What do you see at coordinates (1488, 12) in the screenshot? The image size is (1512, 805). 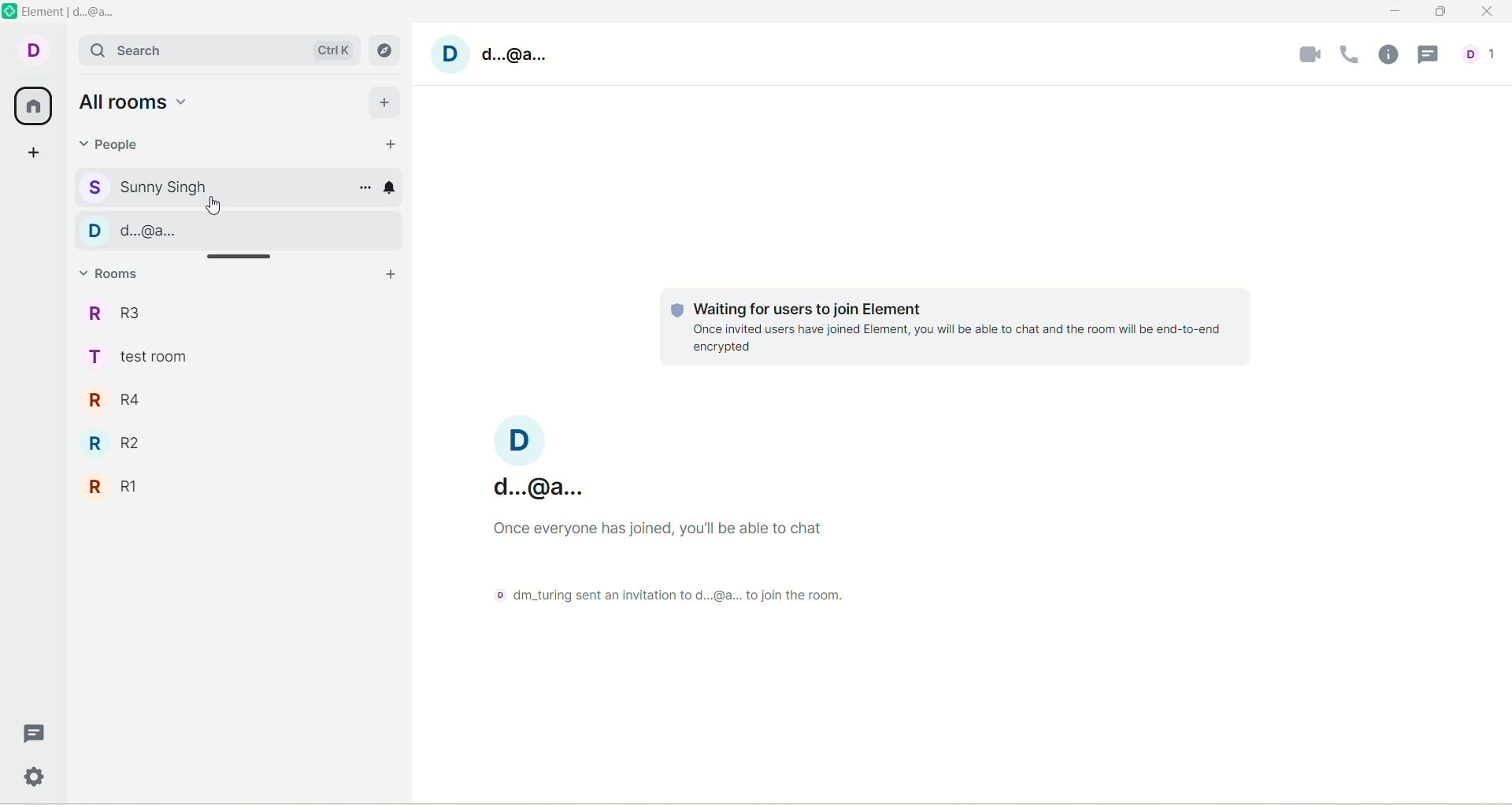 I see `close` at bounding box center [1488, 12].